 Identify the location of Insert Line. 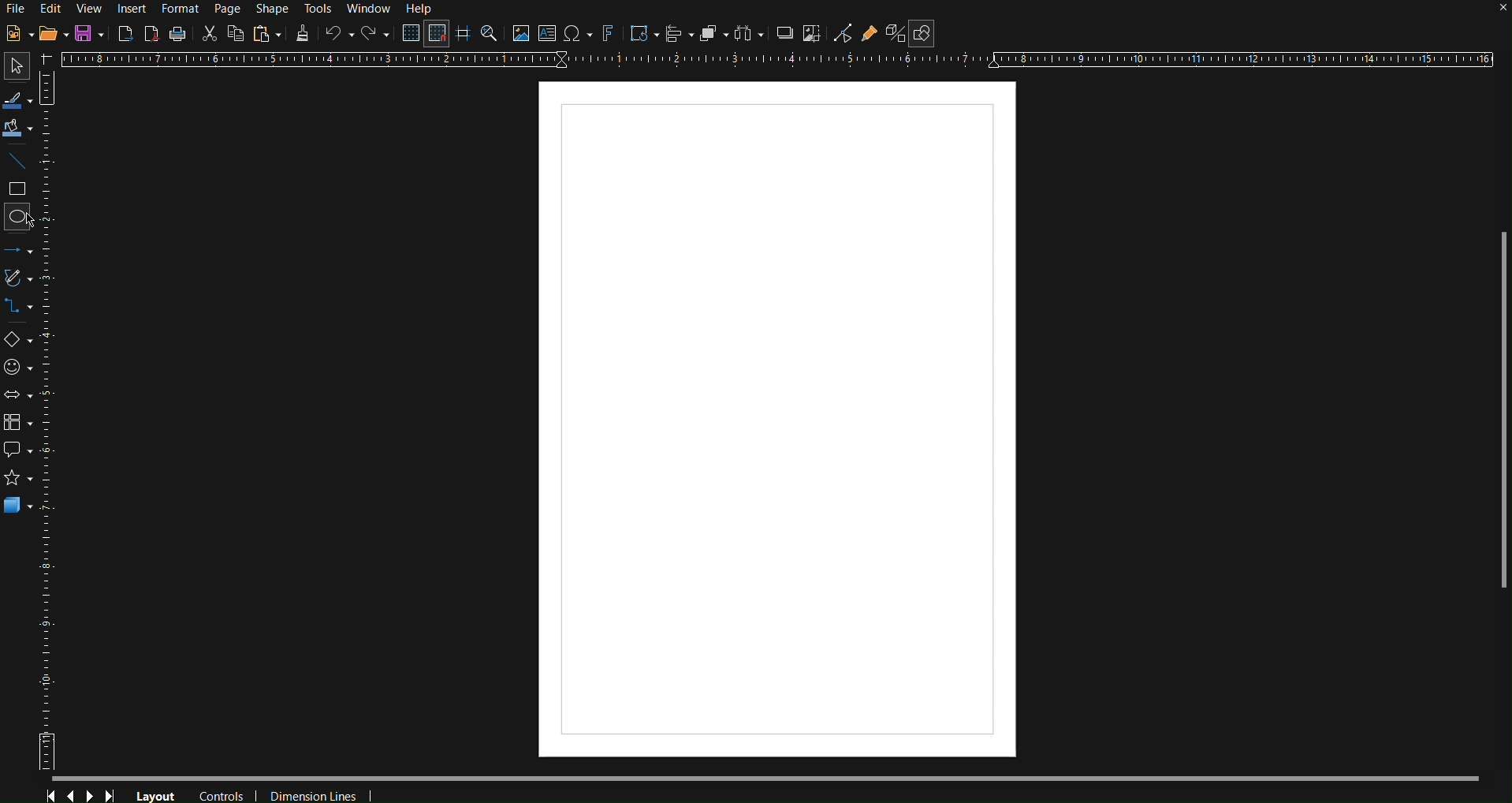
(20, 164).